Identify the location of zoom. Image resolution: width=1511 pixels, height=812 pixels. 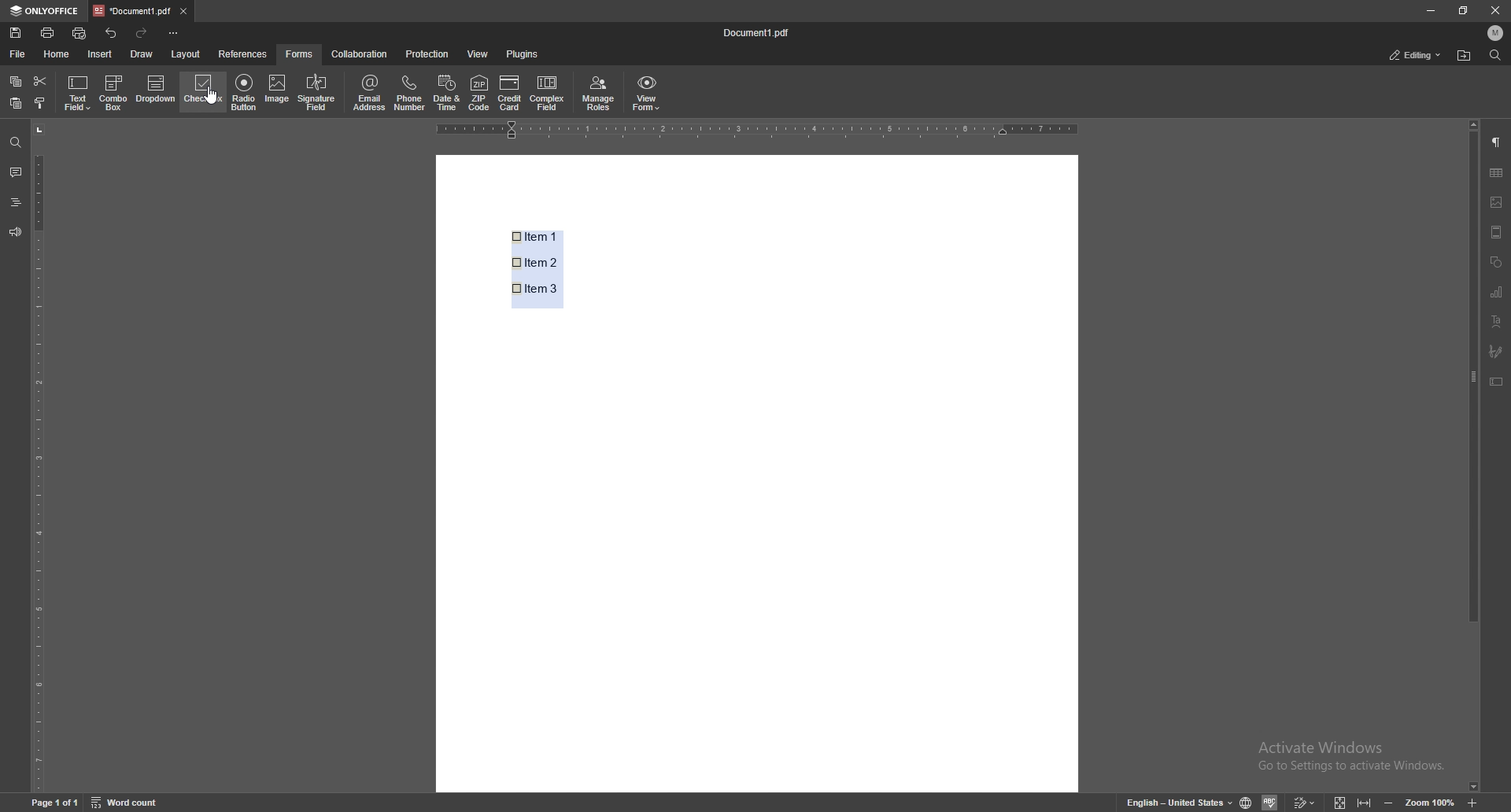
(1429, 801).